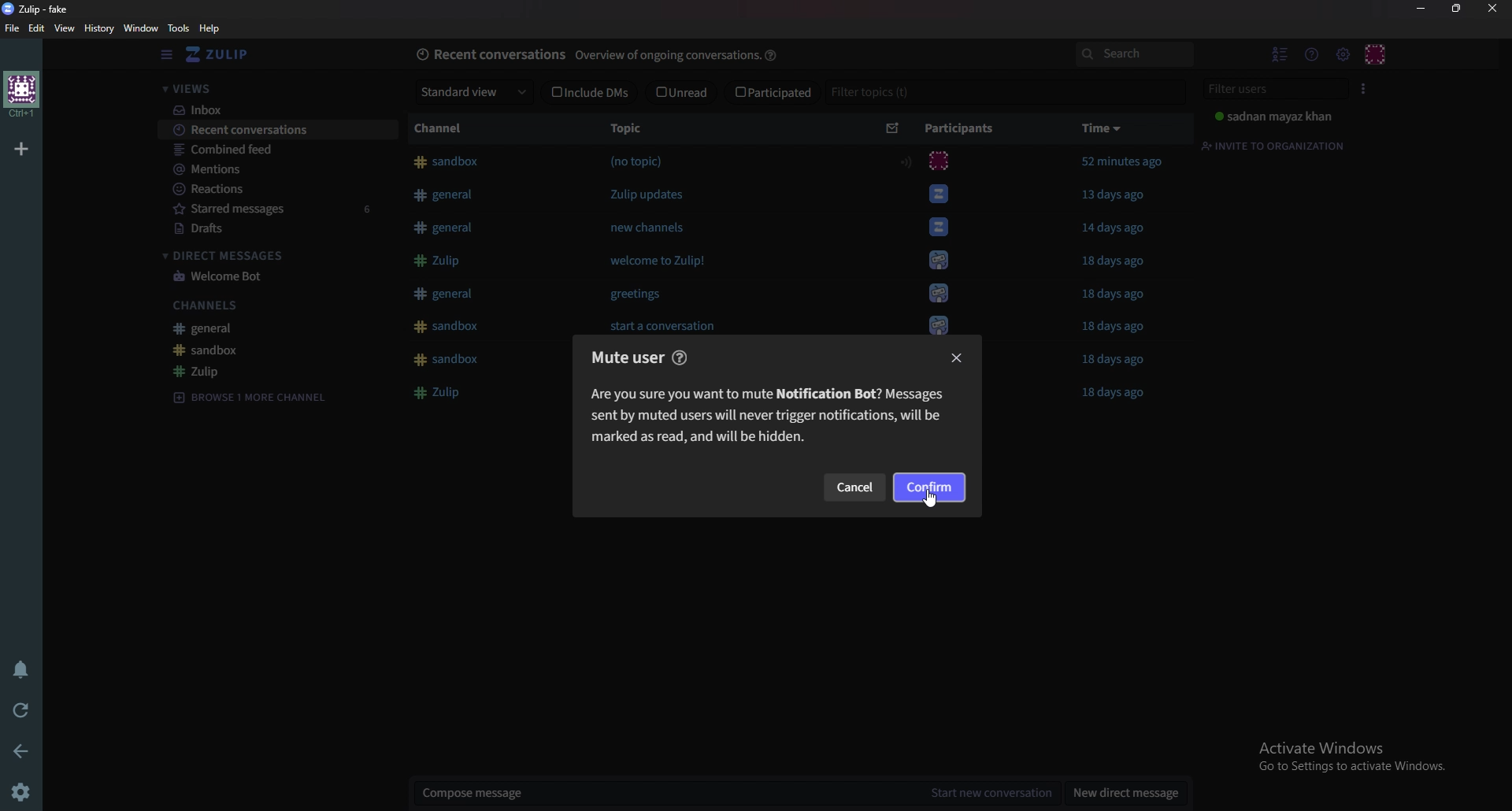 The width and height of the screenshot is (1512, 811). What do you see at coordinates (42, 8) in the screenshot?
I see `zulip-fake` at bounding box center [42, 8].